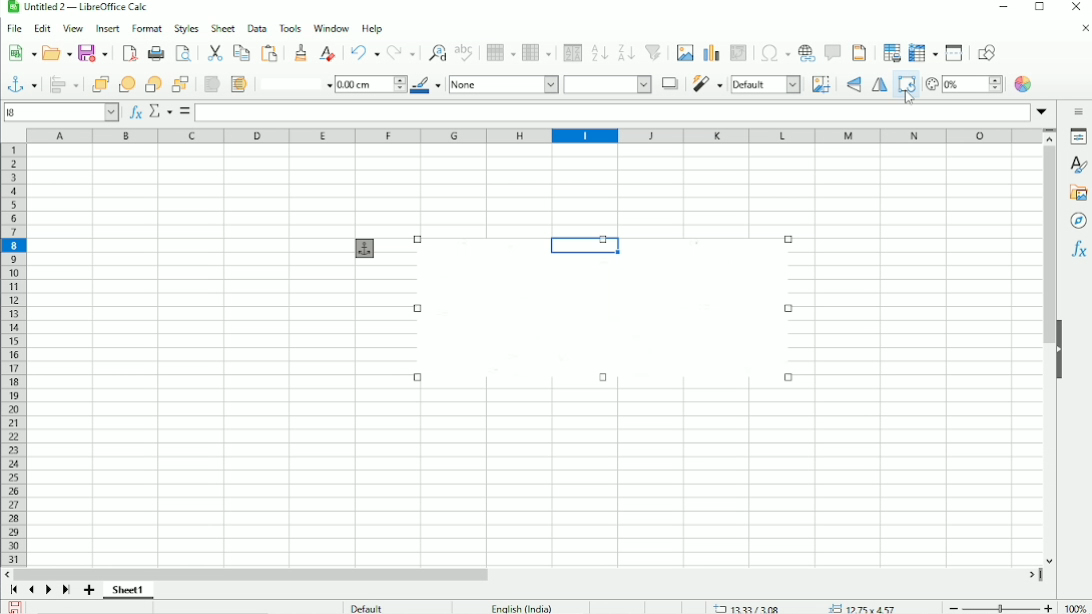 The height and width of the screenshot is (614, 1092). Describe the element at coordinates (152, 84) in the screenshot. I see `Back one` at that location.